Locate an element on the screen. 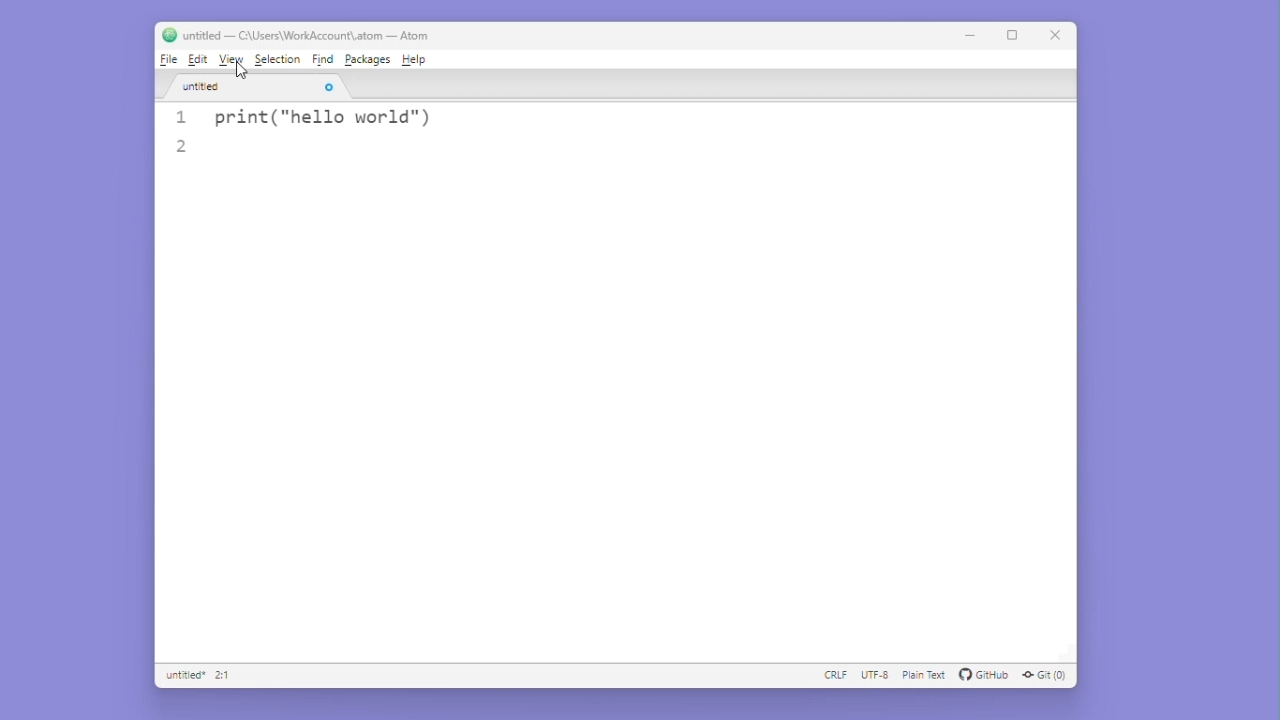 Image resolution: width=1280 pixels, height=720 pixels. Minimise is located at coordinates (975, 34).